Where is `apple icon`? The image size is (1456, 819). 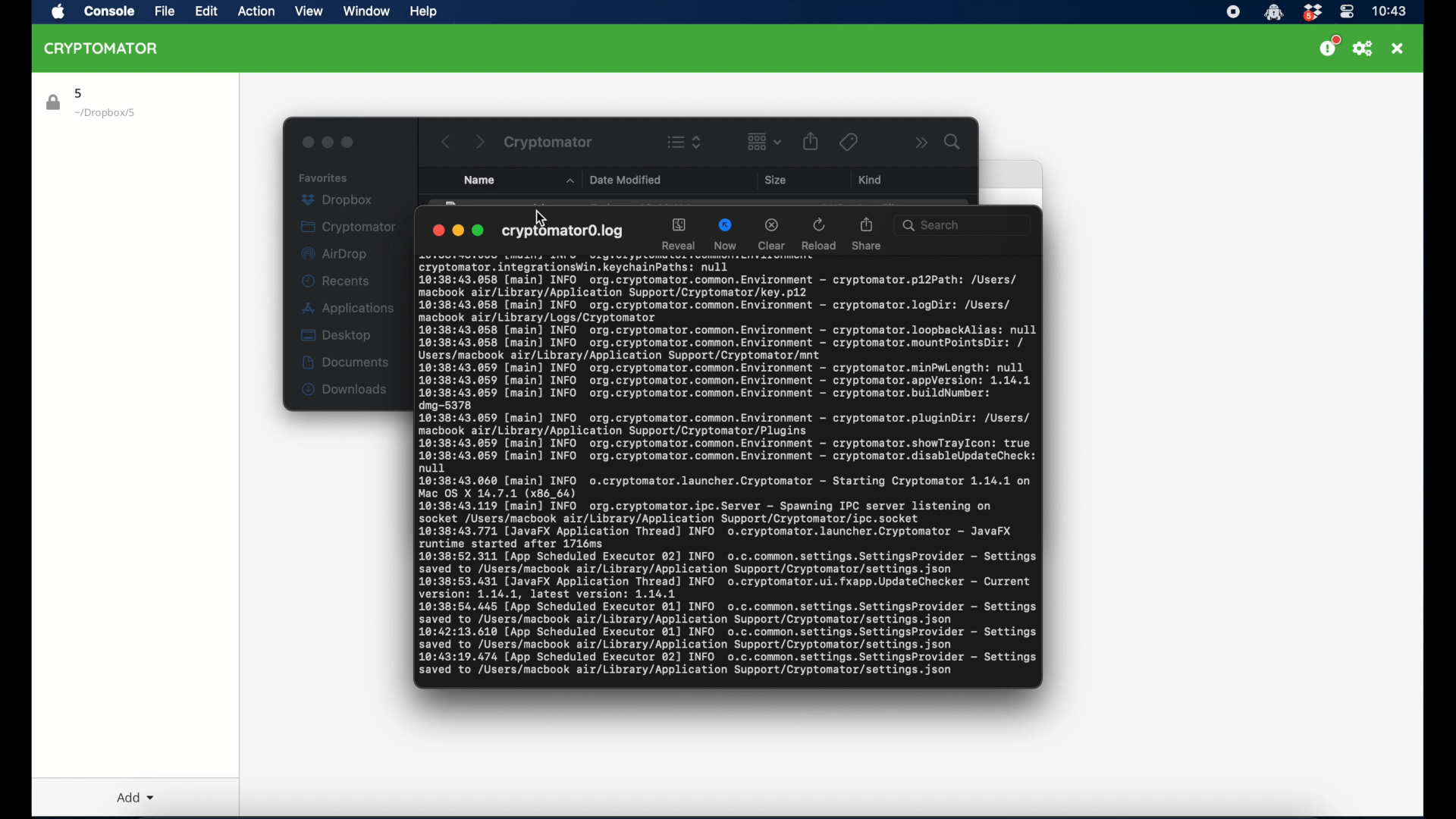
apple icon is located at coordinates (58, 12).